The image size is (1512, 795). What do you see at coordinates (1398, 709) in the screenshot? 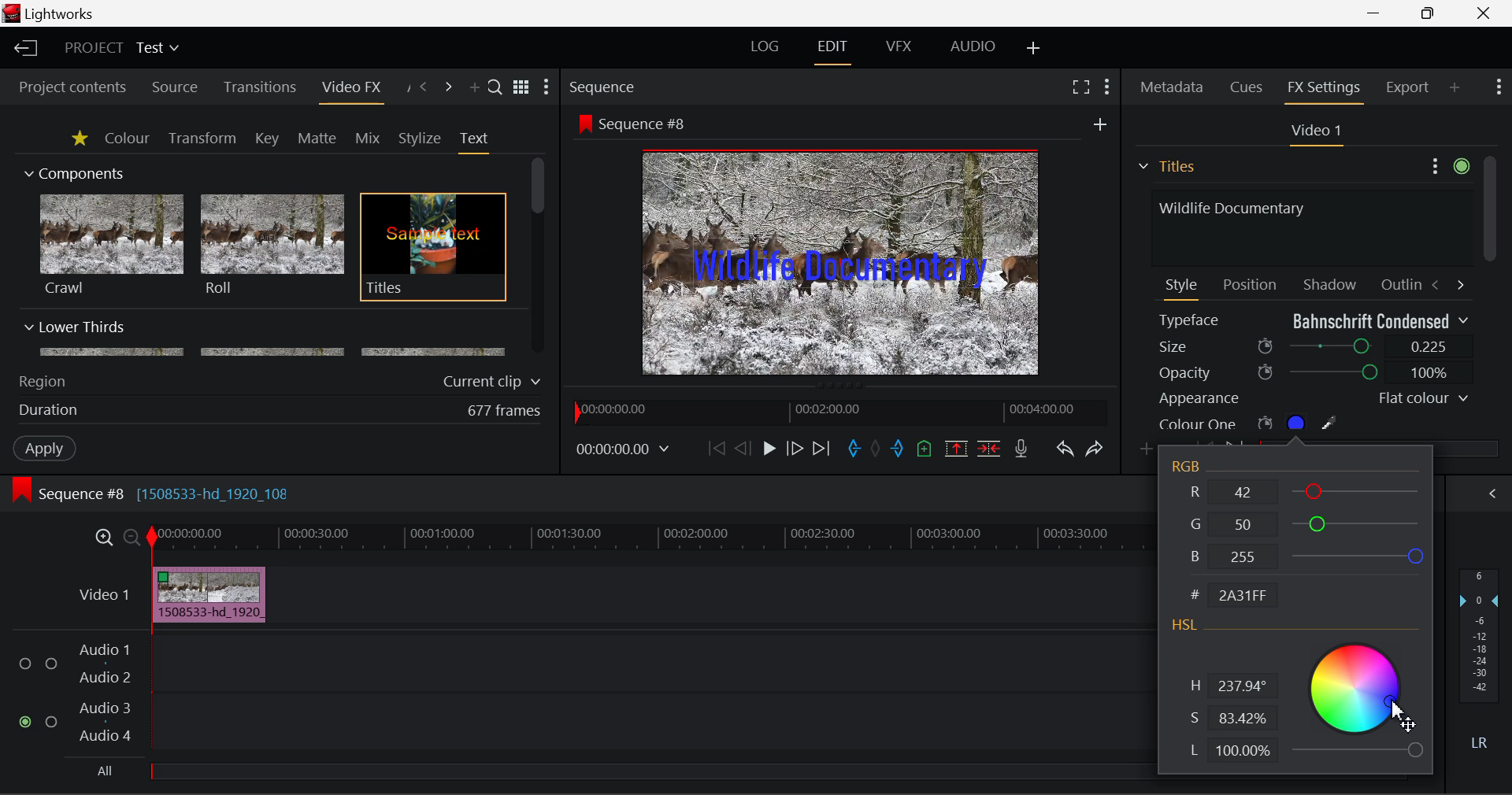
I see `MOUSE_UP Cursor Position` at bounding box center [1398, 709].